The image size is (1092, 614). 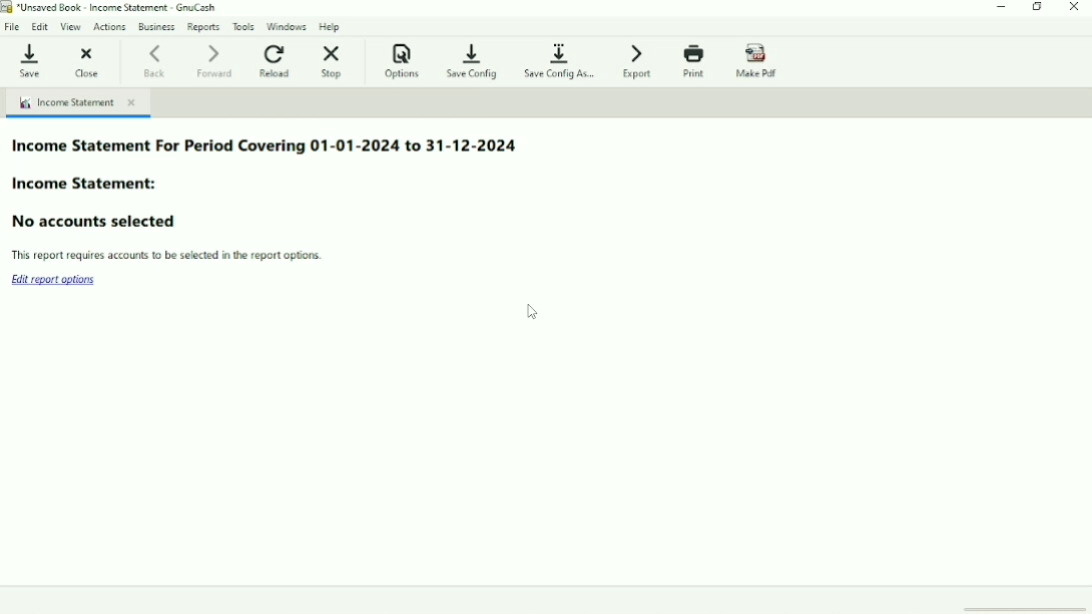 What do you see at coordinates (562, 60) in the screenshot?
I see `Save Config As` at bounding box center [562, 60].